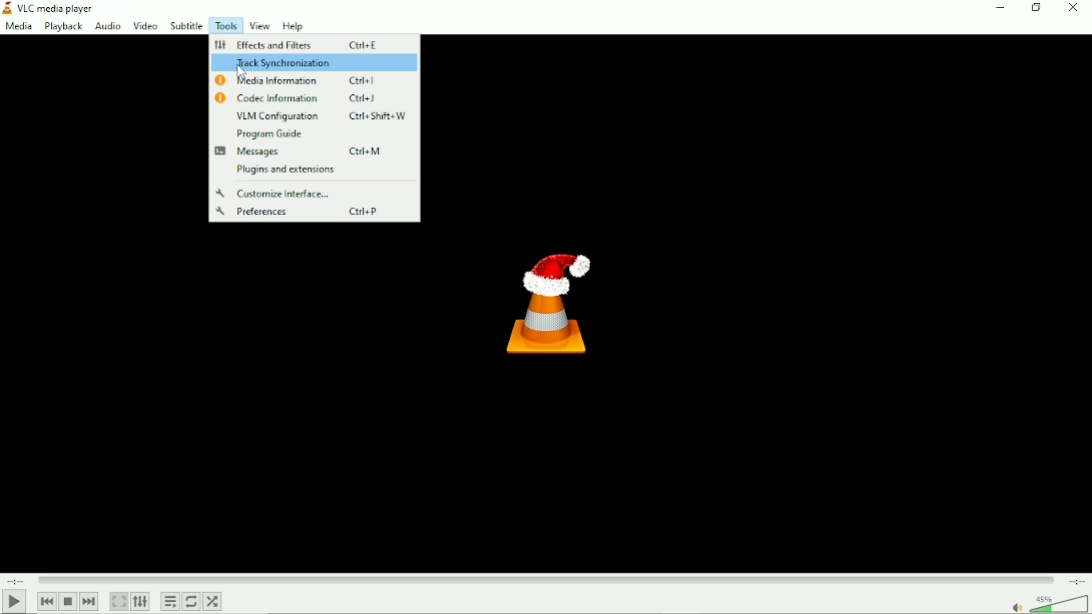 The height and width of the screenshot is (614, 1092). I want to click on Help, so click(295, 26).